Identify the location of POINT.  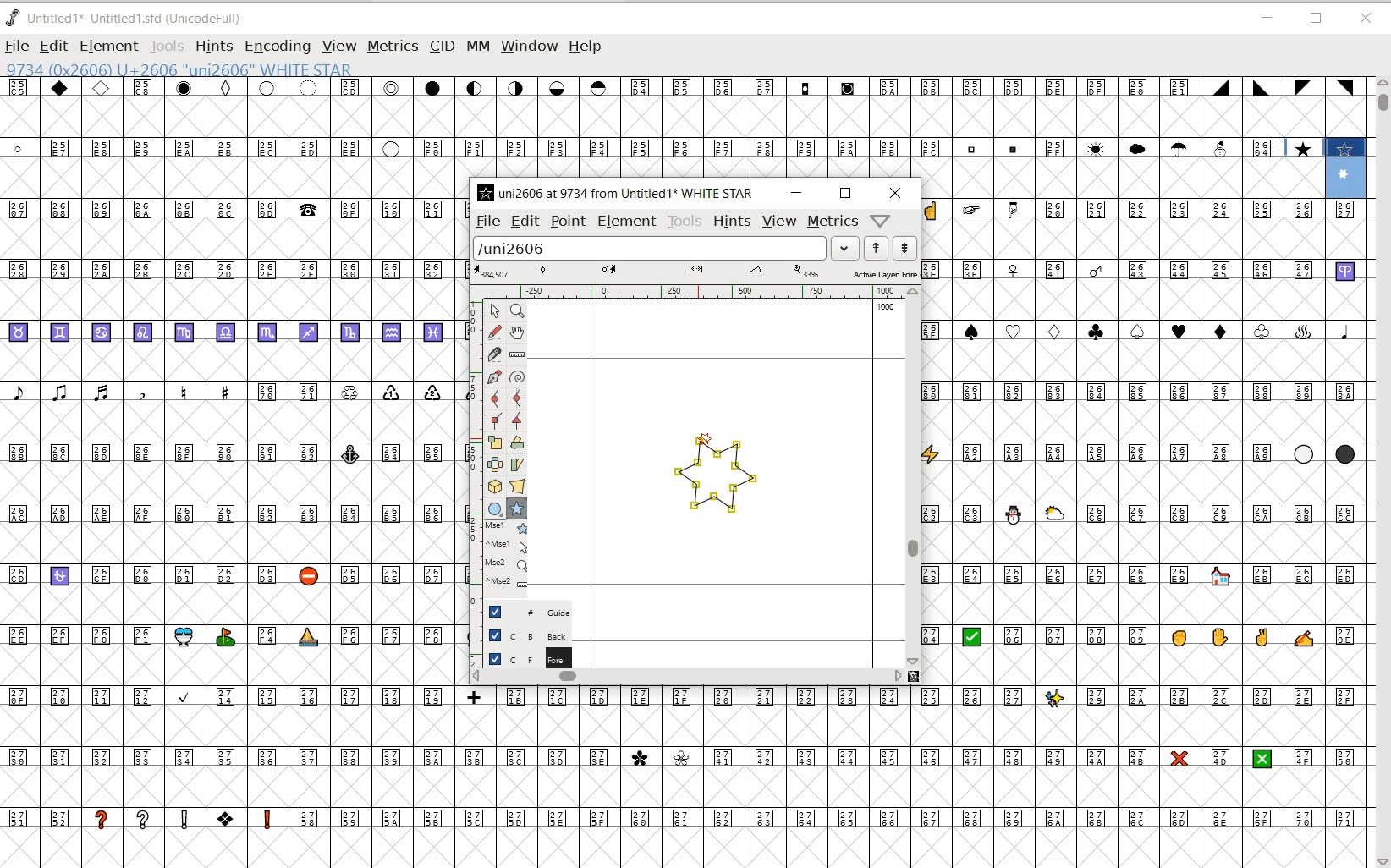
(568, 222).